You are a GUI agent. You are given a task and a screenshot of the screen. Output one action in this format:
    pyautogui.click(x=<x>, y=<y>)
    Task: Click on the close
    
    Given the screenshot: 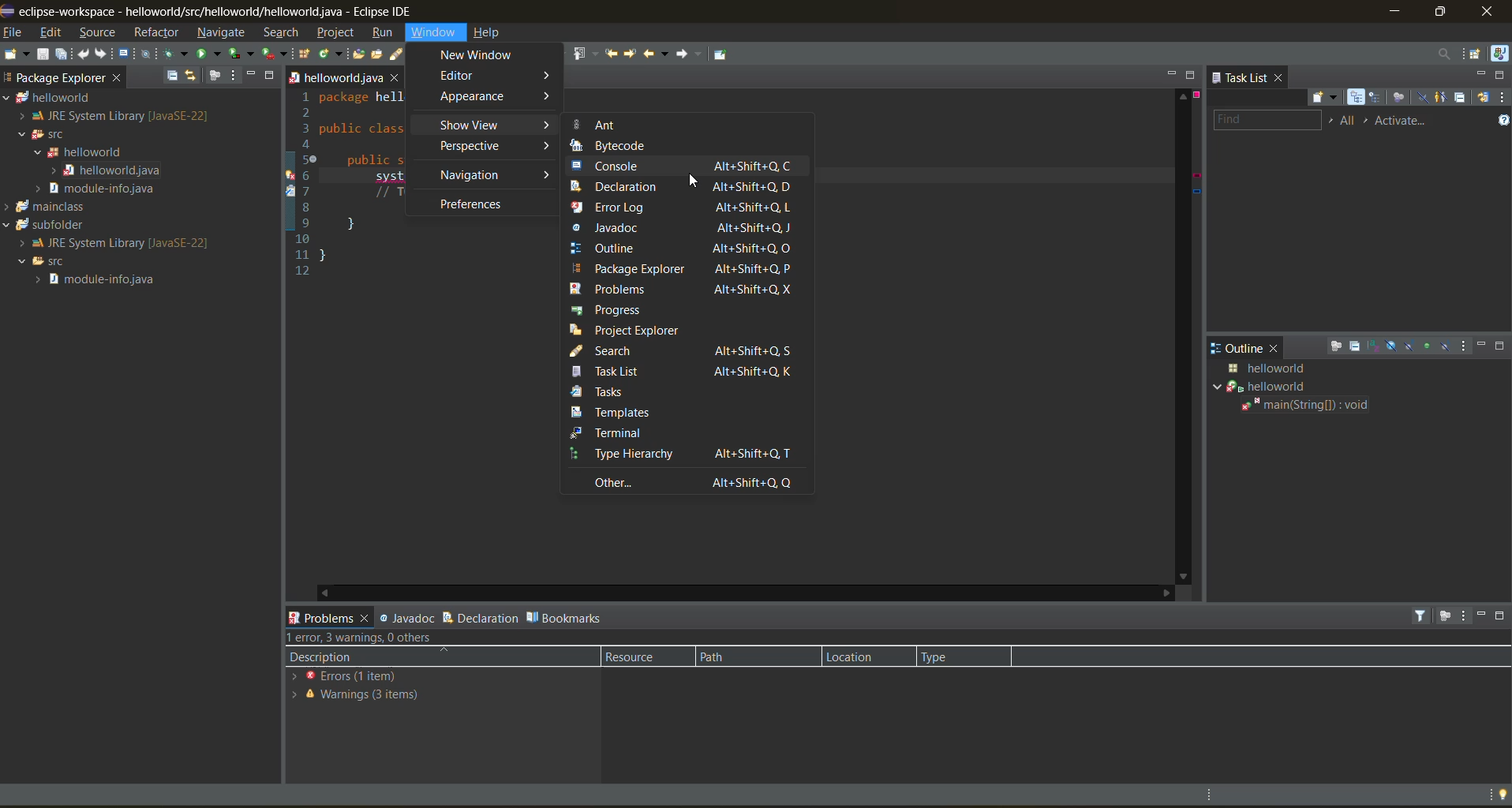 What is the action you would take?
    pyautogui.click(x=1282, y=78)
    